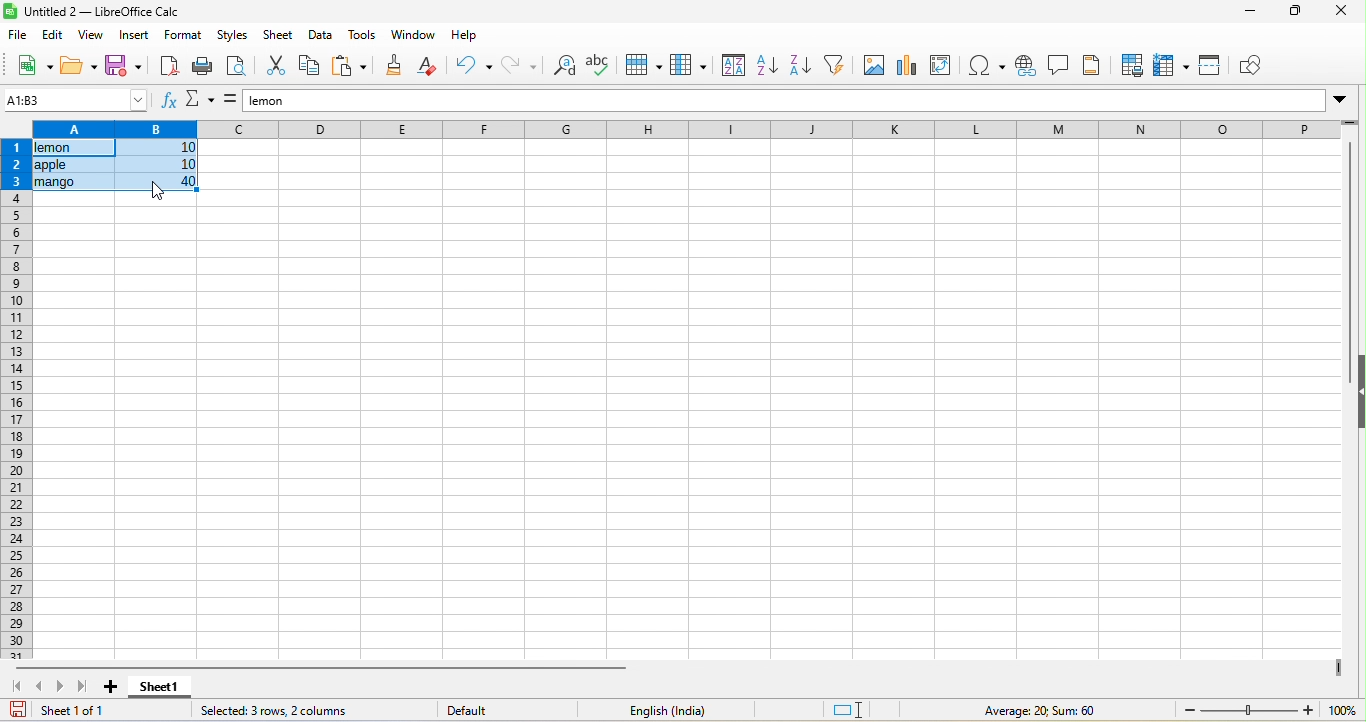  I want to click on save, so click(123, 66).